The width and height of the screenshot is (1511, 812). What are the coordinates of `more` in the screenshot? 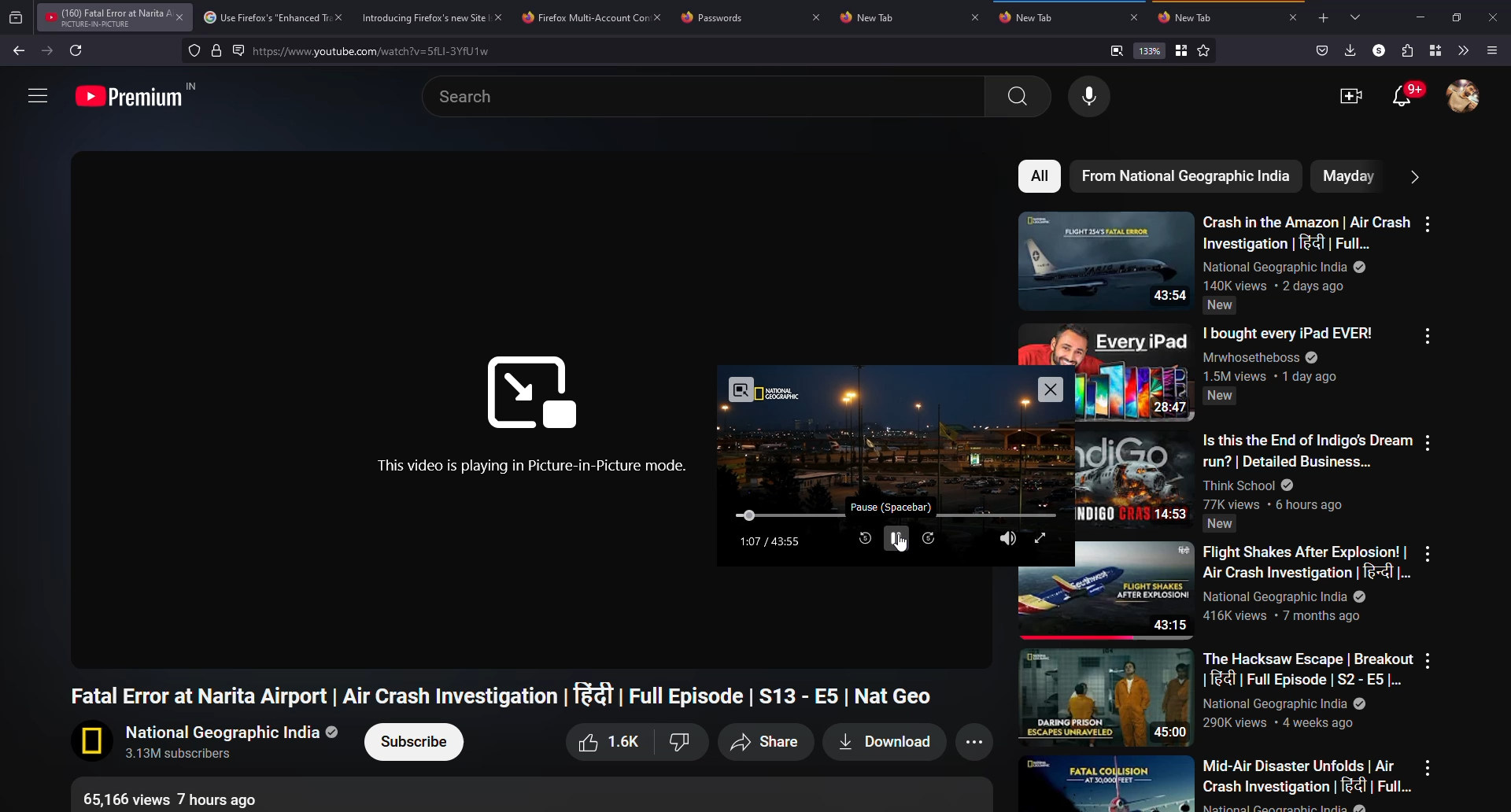 It's located at (1428, 767).